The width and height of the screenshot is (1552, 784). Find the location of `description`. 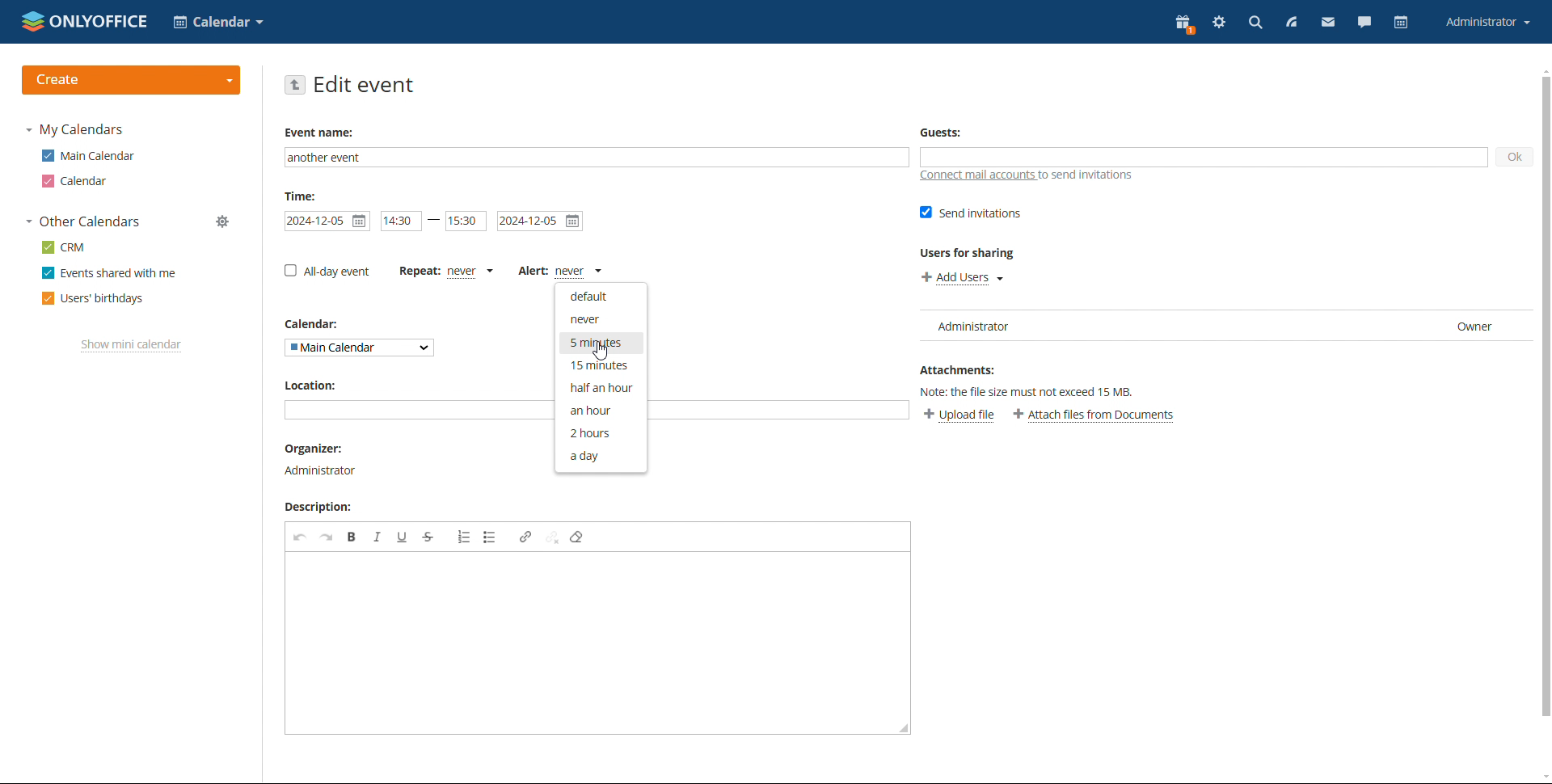

description is located at coordinates (323, 508).